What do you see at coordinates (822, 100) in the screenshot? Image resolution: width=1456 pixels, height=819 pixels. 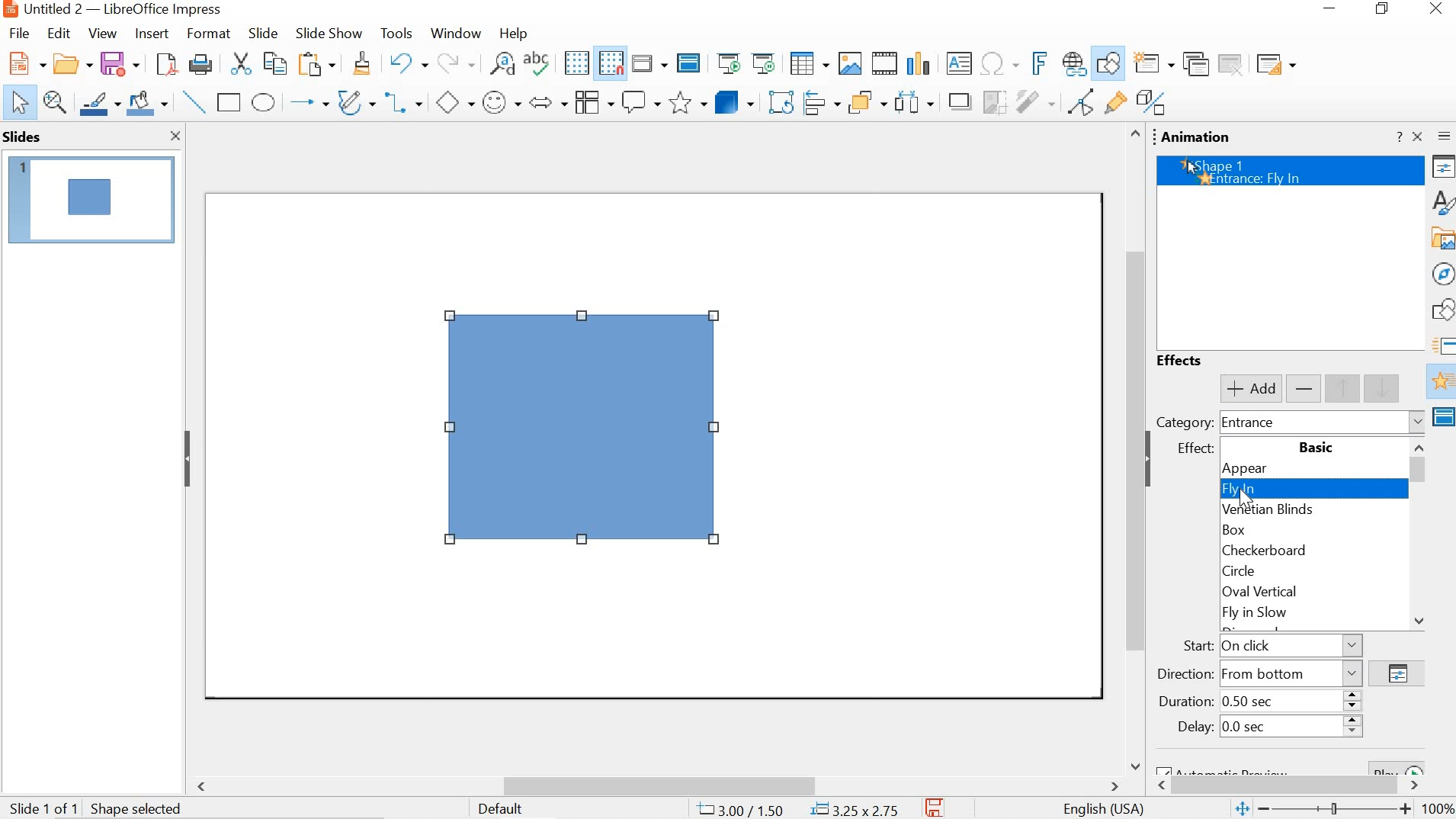 I see `align objects` at bounding box center [822, 100].